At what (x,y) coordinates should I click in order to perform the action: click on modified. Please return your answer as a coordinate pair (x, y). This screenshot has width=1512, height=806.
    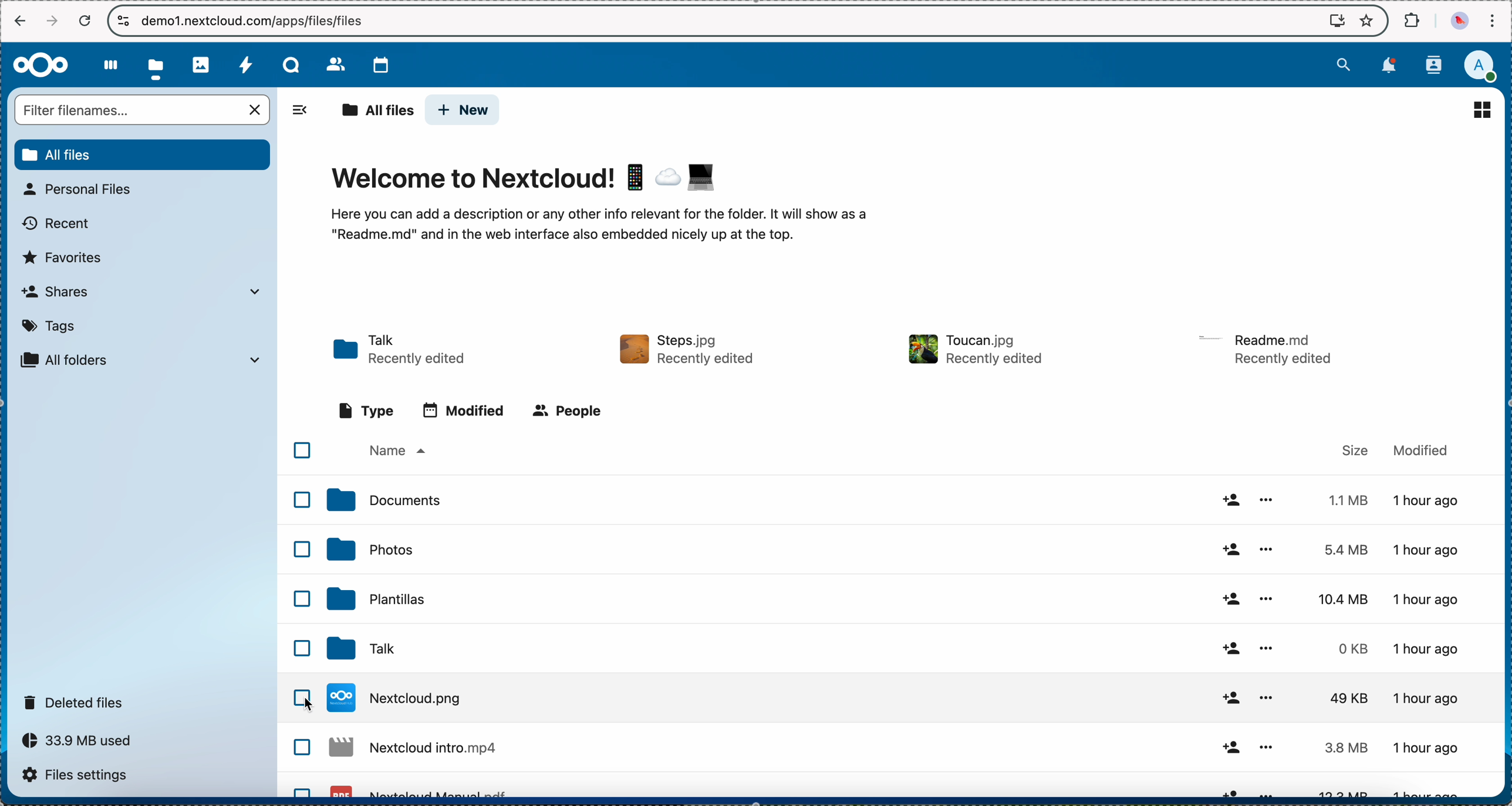
    Looking at the image, I should click on (464, 412).